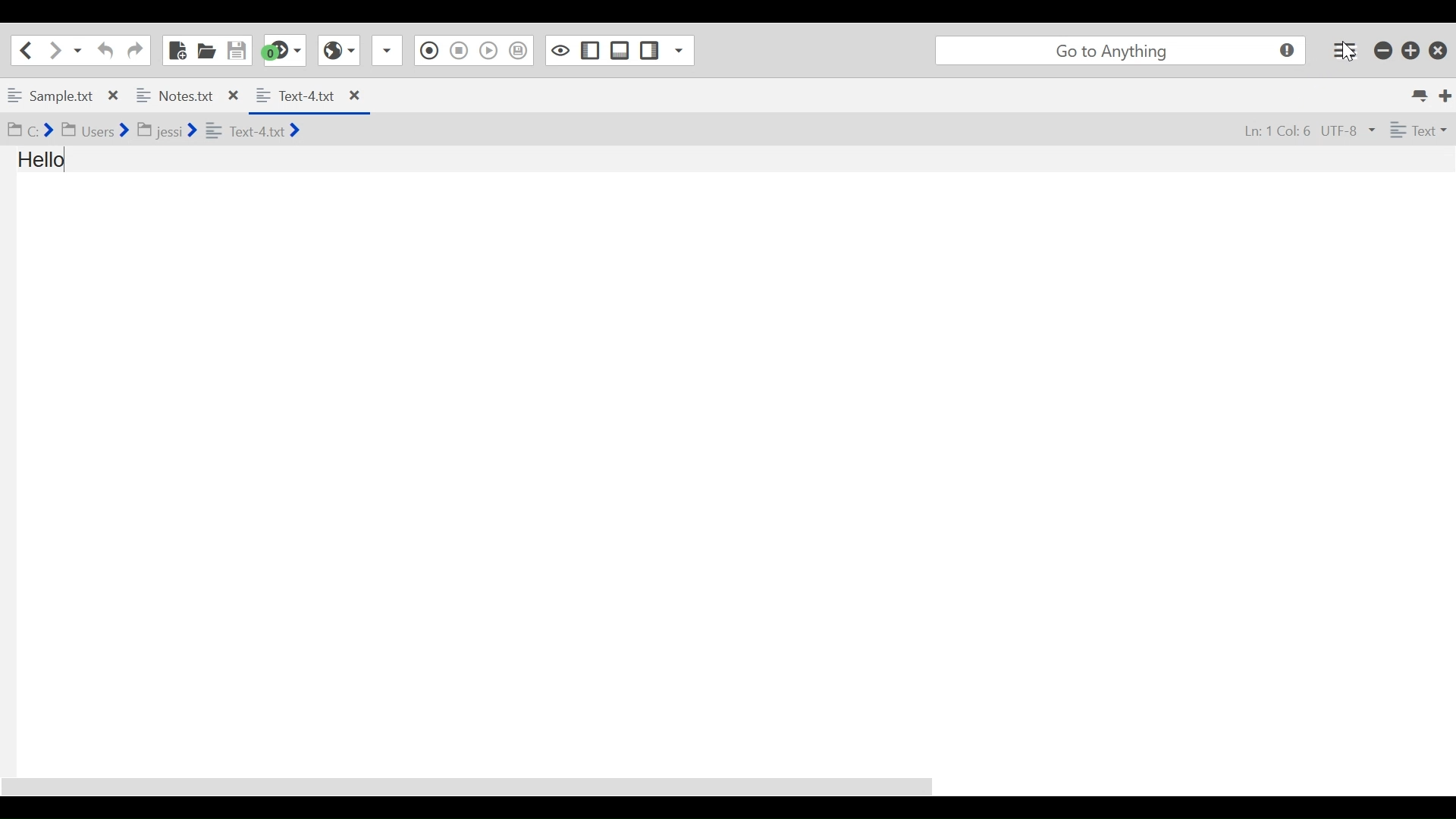  What do you see at coordinates (517, 52) in the screenshot?
I see `Save to Toolbox as Superscript` at bounding box center [517, 52].